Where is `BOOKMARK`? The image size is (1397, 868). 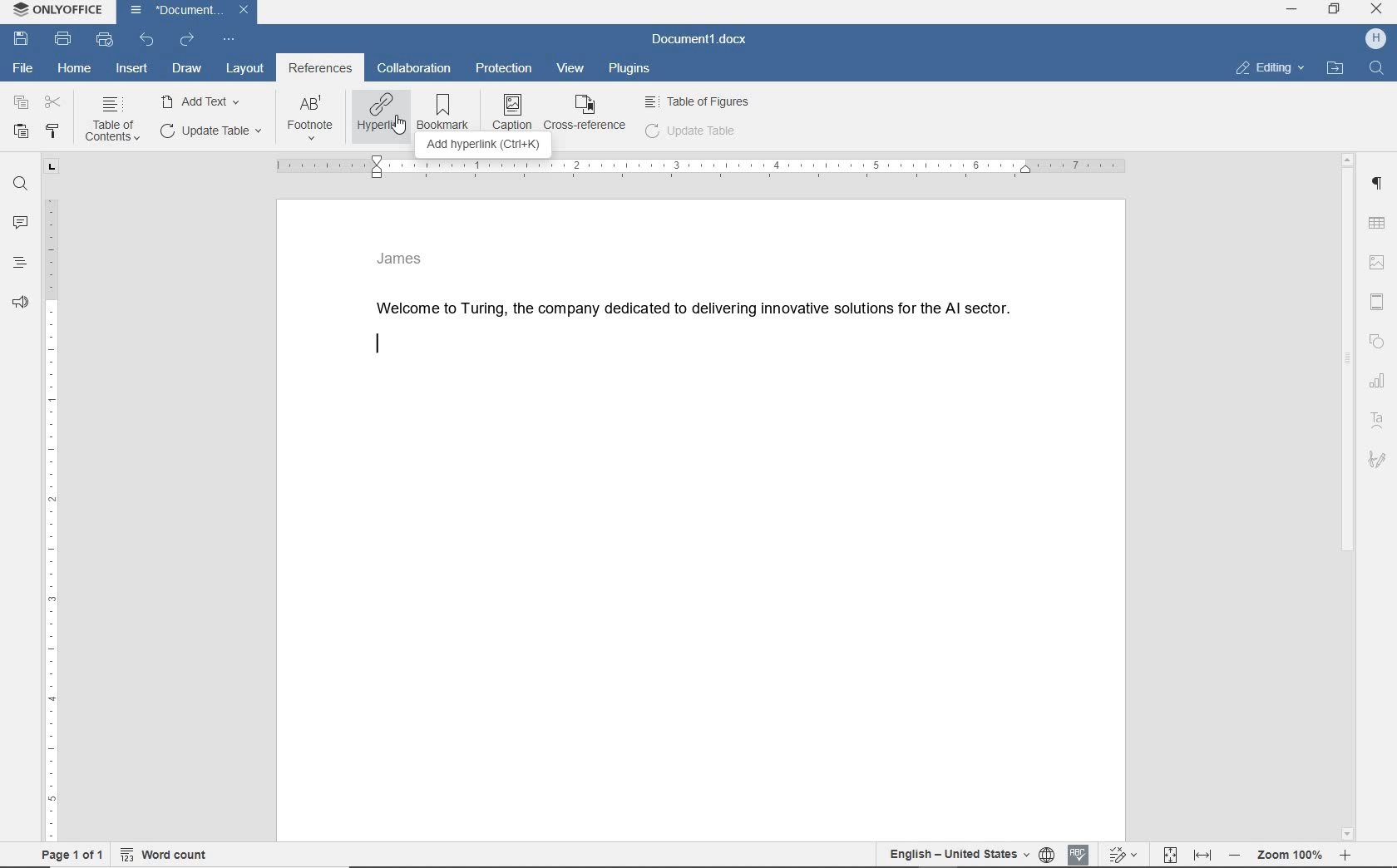 BOOKMARK is located at coordinates (448, 113).